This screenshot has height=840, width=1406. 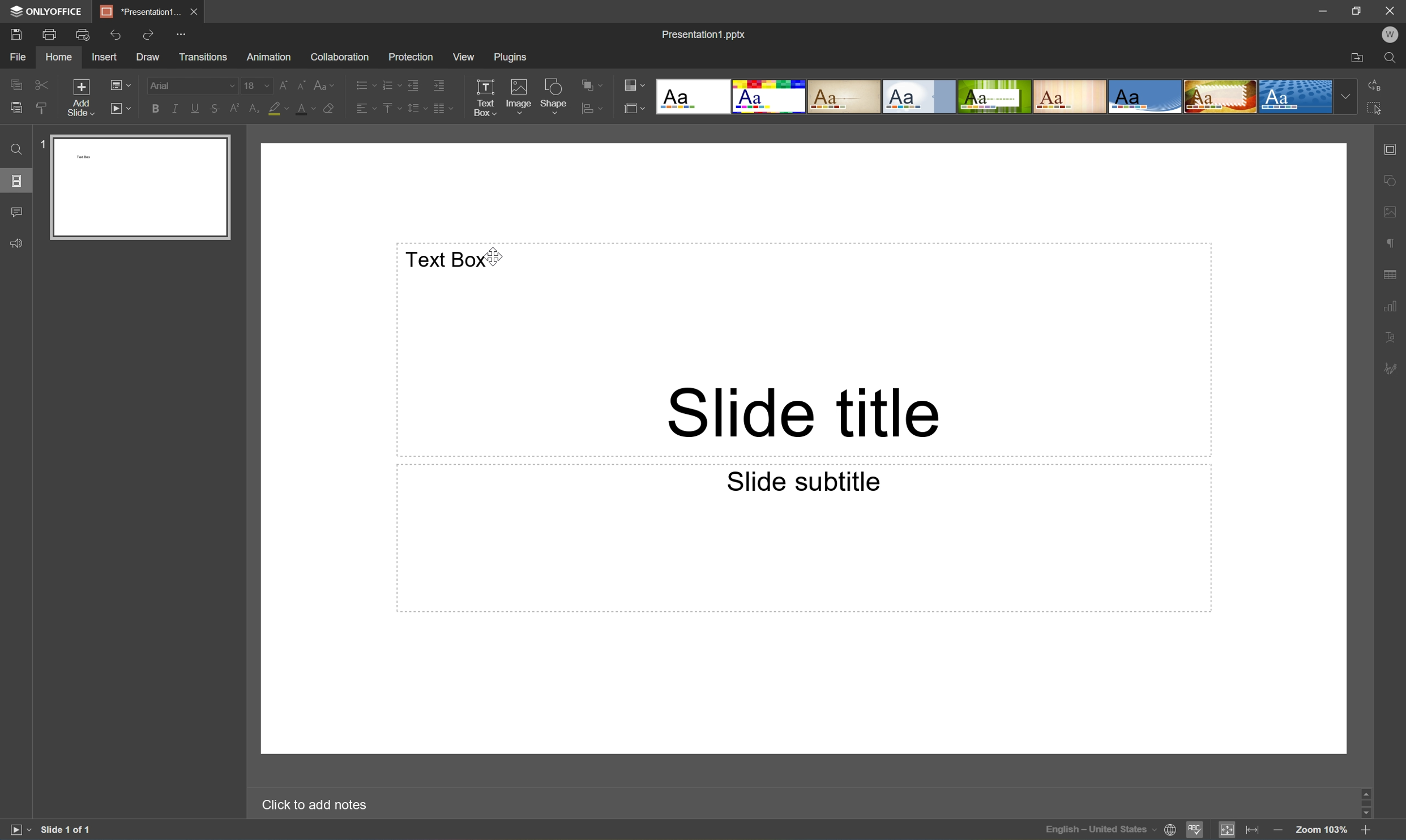 I want to click on Increment font size, so click(x=282, y=86).